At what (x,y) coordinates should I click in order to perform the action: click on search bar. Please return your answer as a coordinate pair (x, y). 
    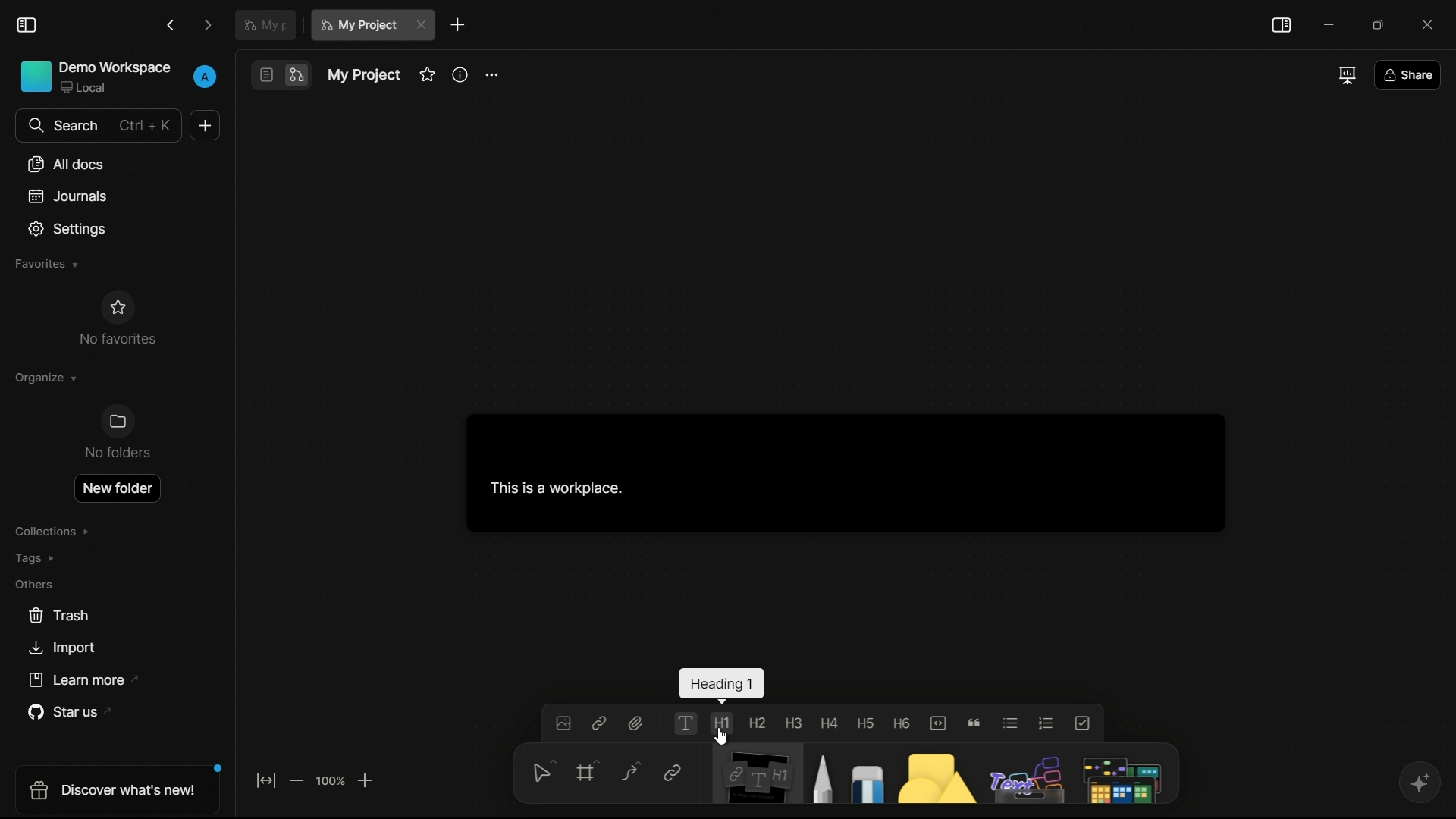
    Looking at the image, I should click on (99, 126).